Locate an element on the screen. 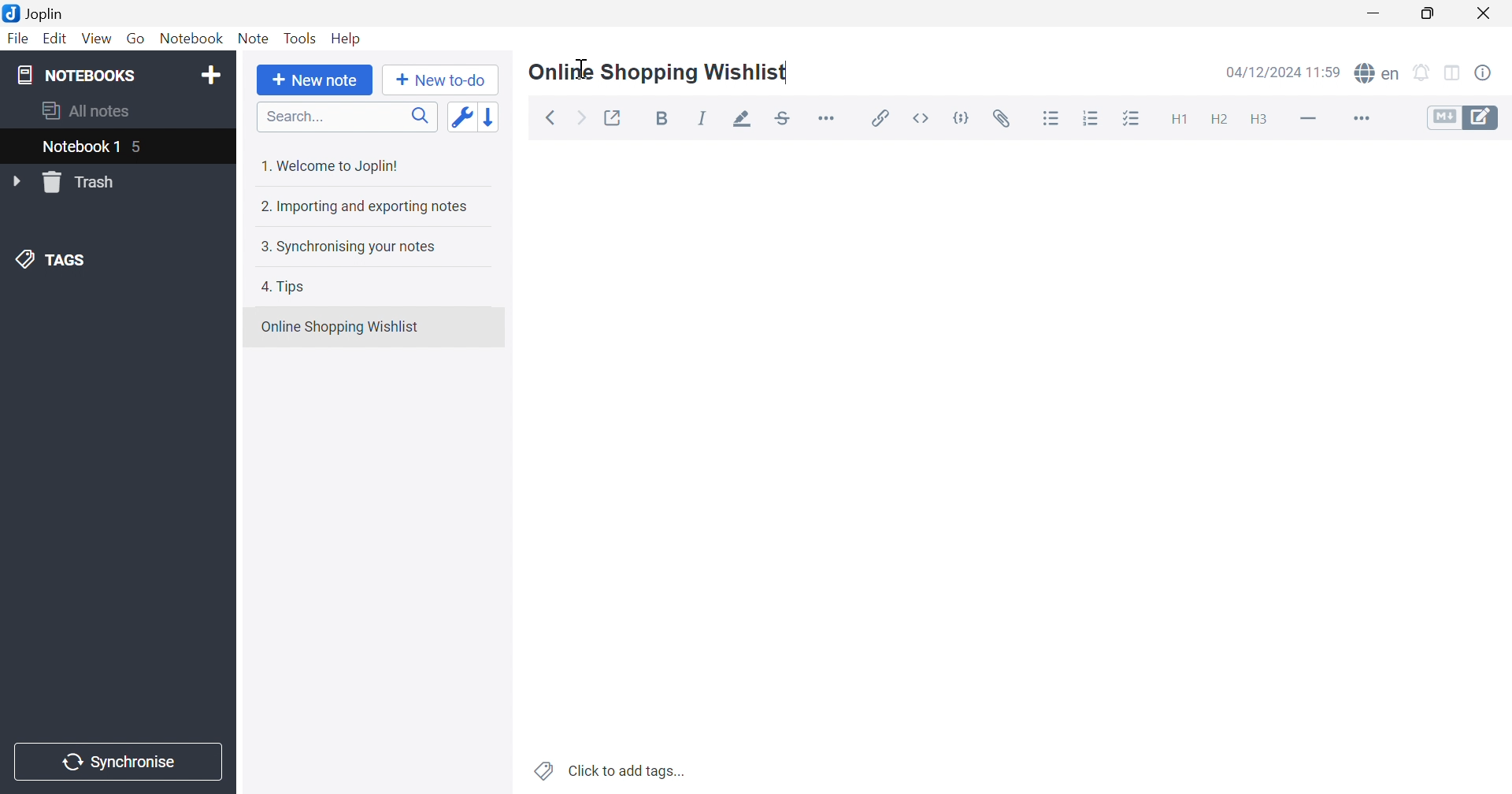 Image resolution: width=1512 pixels, height=794 pixels. New note is located at coordinates (319, 80).